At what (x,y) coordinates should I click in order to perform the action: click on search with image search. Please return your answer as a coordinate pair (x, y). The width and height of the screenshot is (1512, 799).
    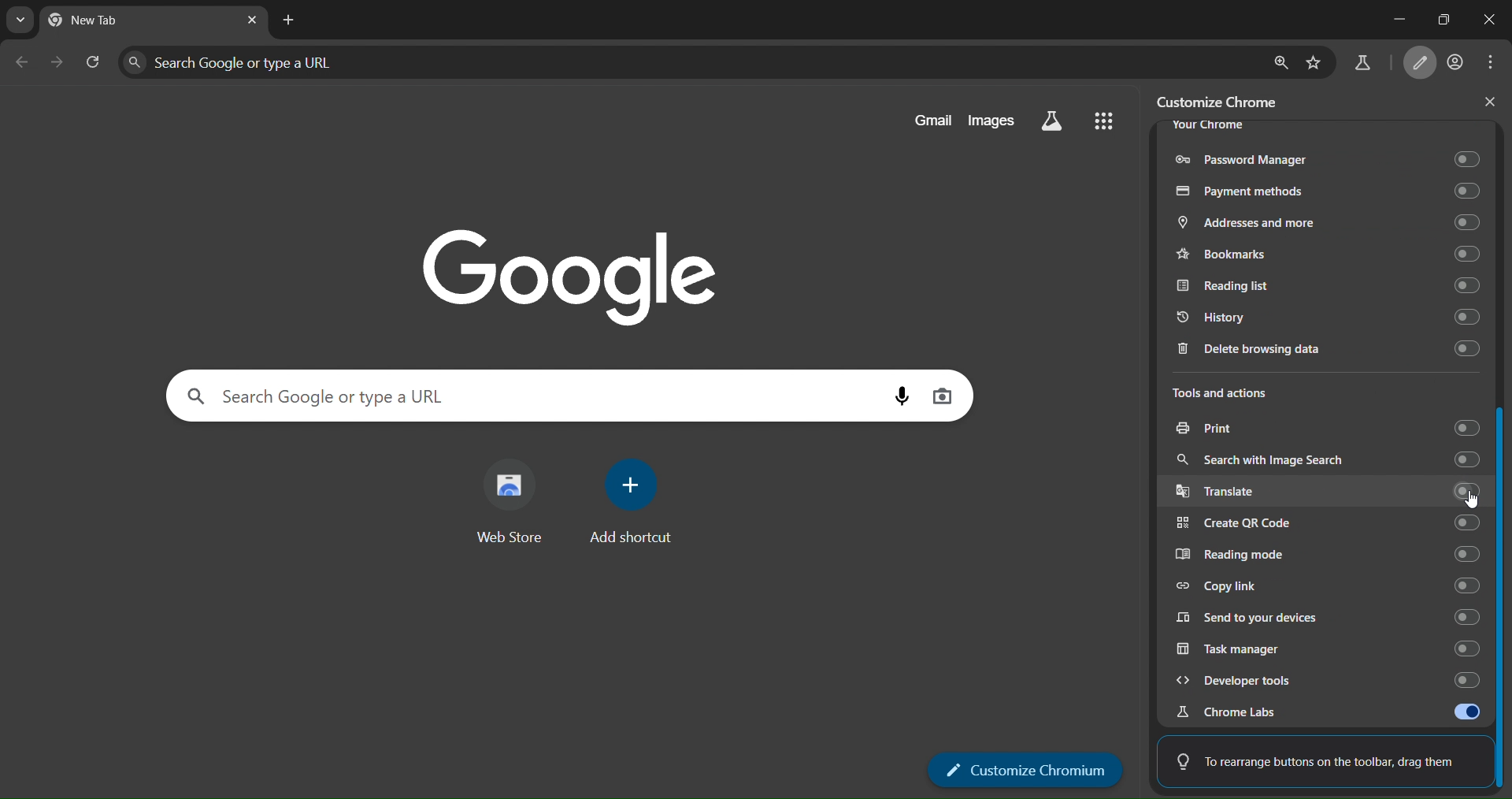
    Looking at the image, I should click on (1327, 456).